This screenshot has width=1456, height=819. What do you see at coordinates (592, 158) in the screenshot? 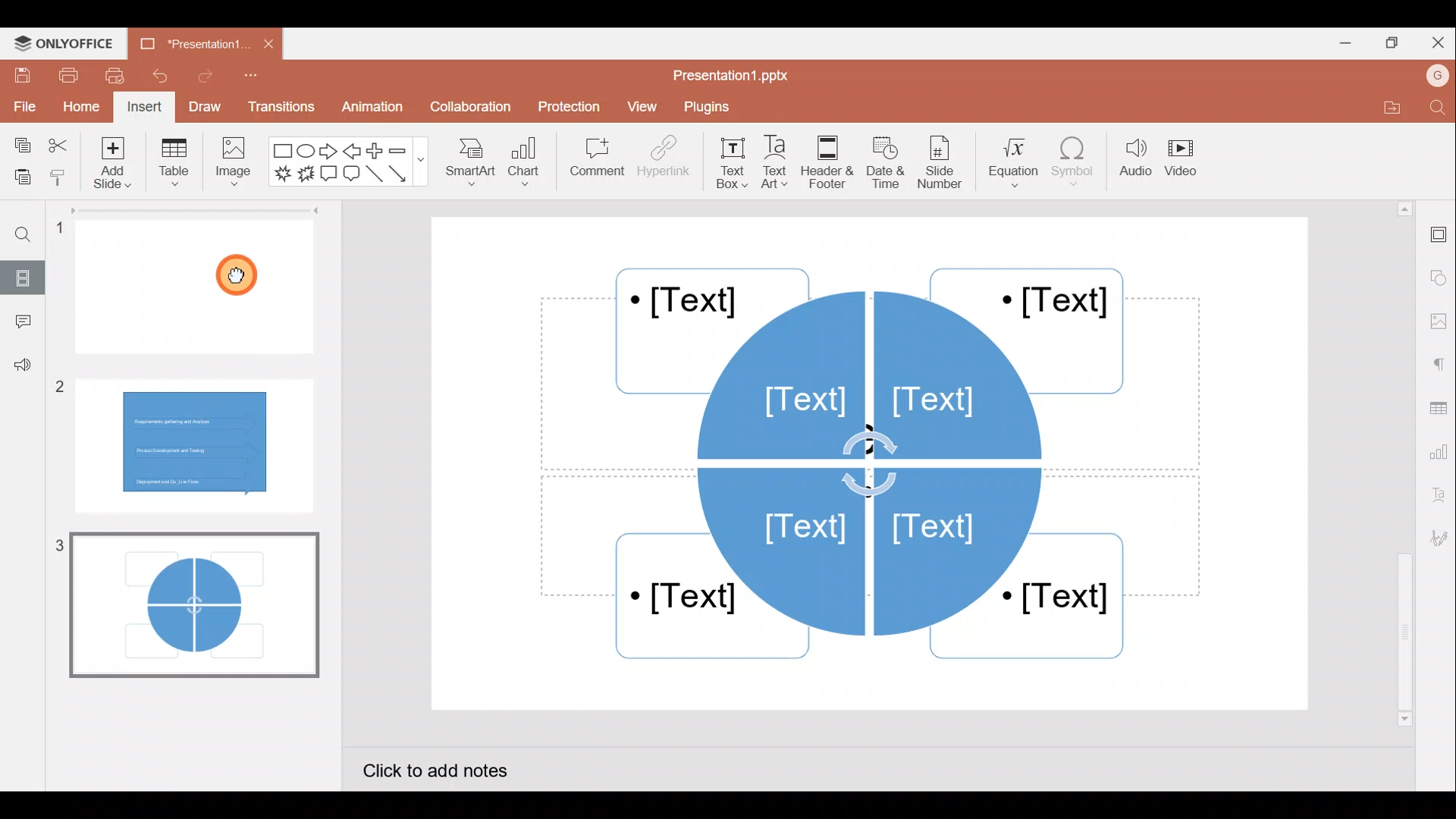
I see `Comment` at bounding box center [592, 158].